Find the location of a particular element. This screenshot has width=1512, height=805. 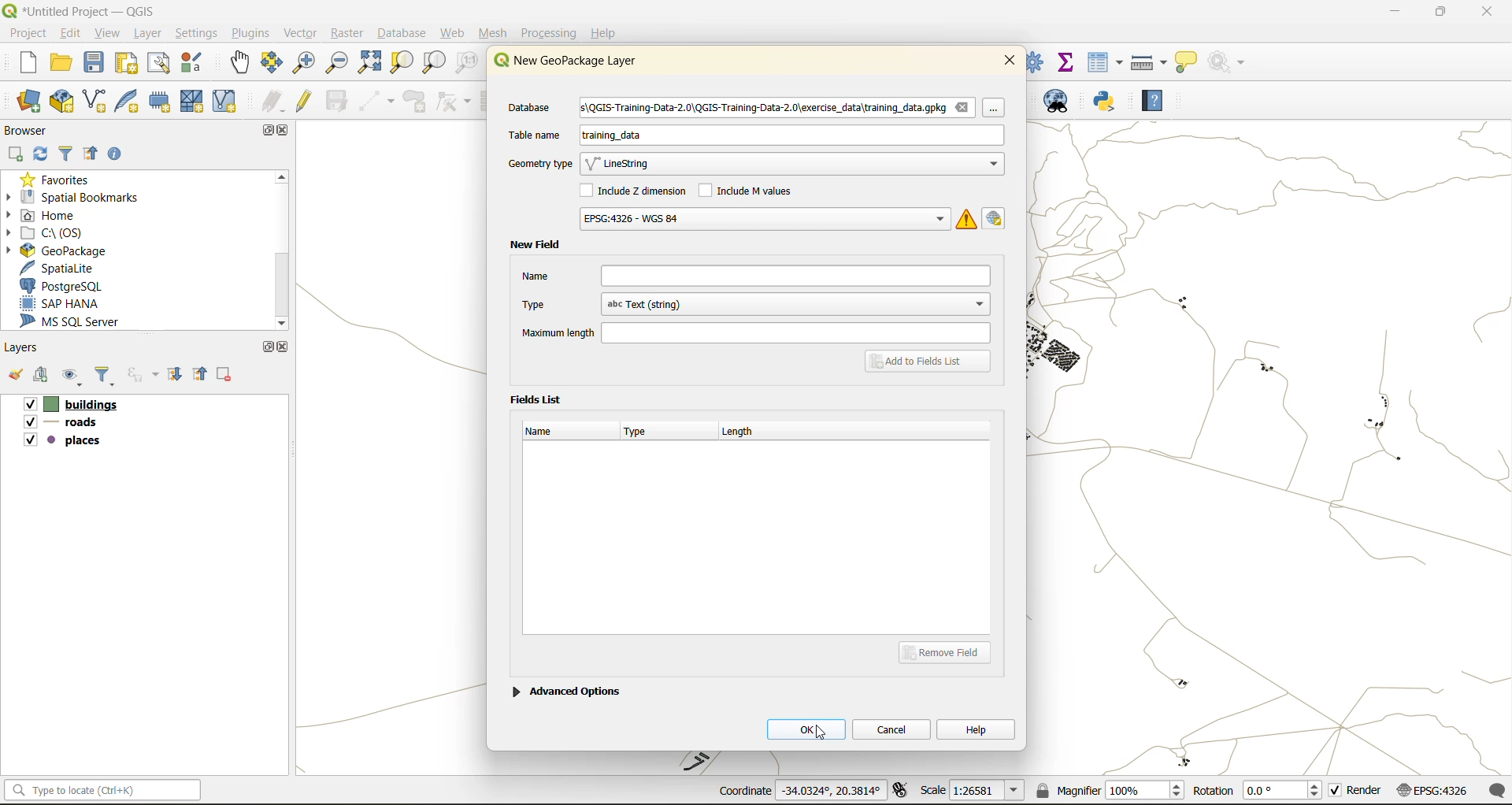

table name is located at coordinates (535, 135).